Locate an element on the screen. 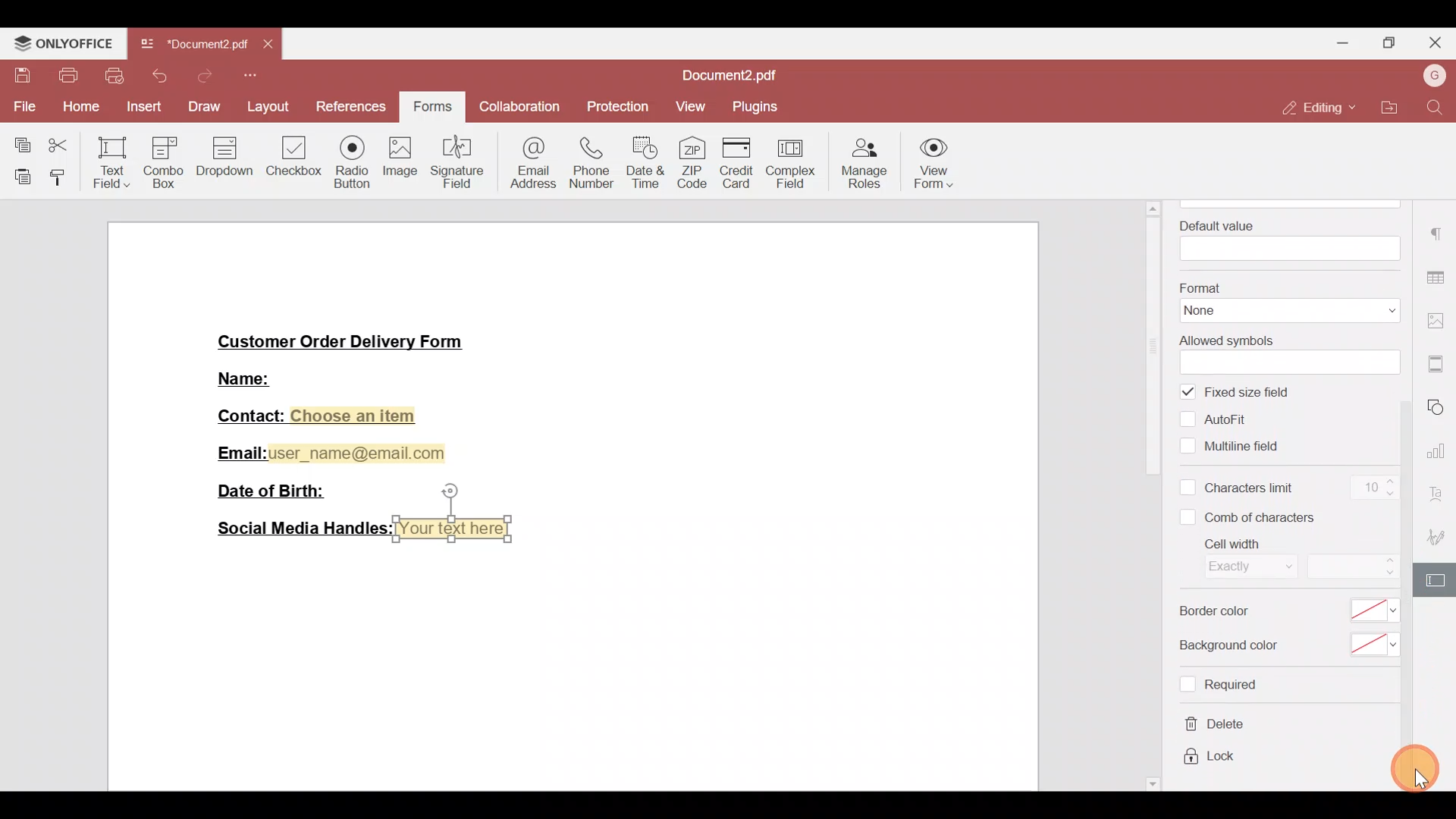 The height and width of the screenshot is (819, 1456). Lock is located at coordinates (1211, 759).